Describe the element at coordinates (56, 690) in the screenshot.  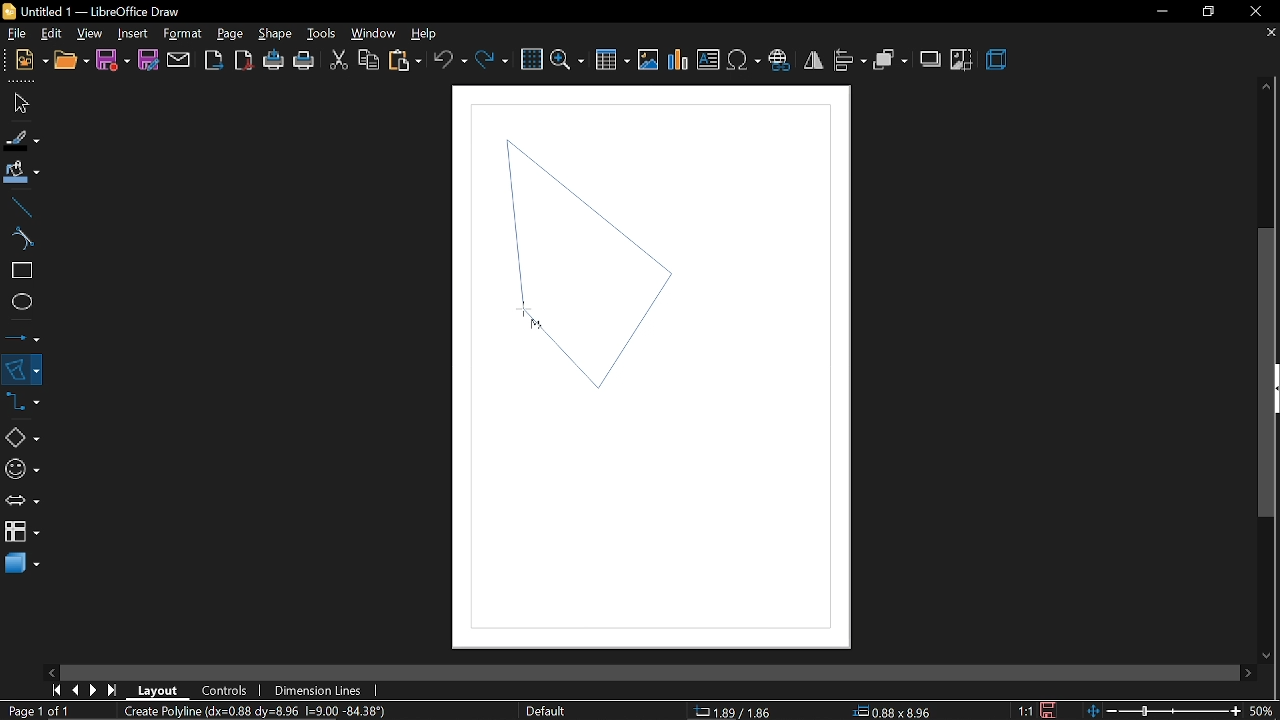
I see `go first page` at that location.